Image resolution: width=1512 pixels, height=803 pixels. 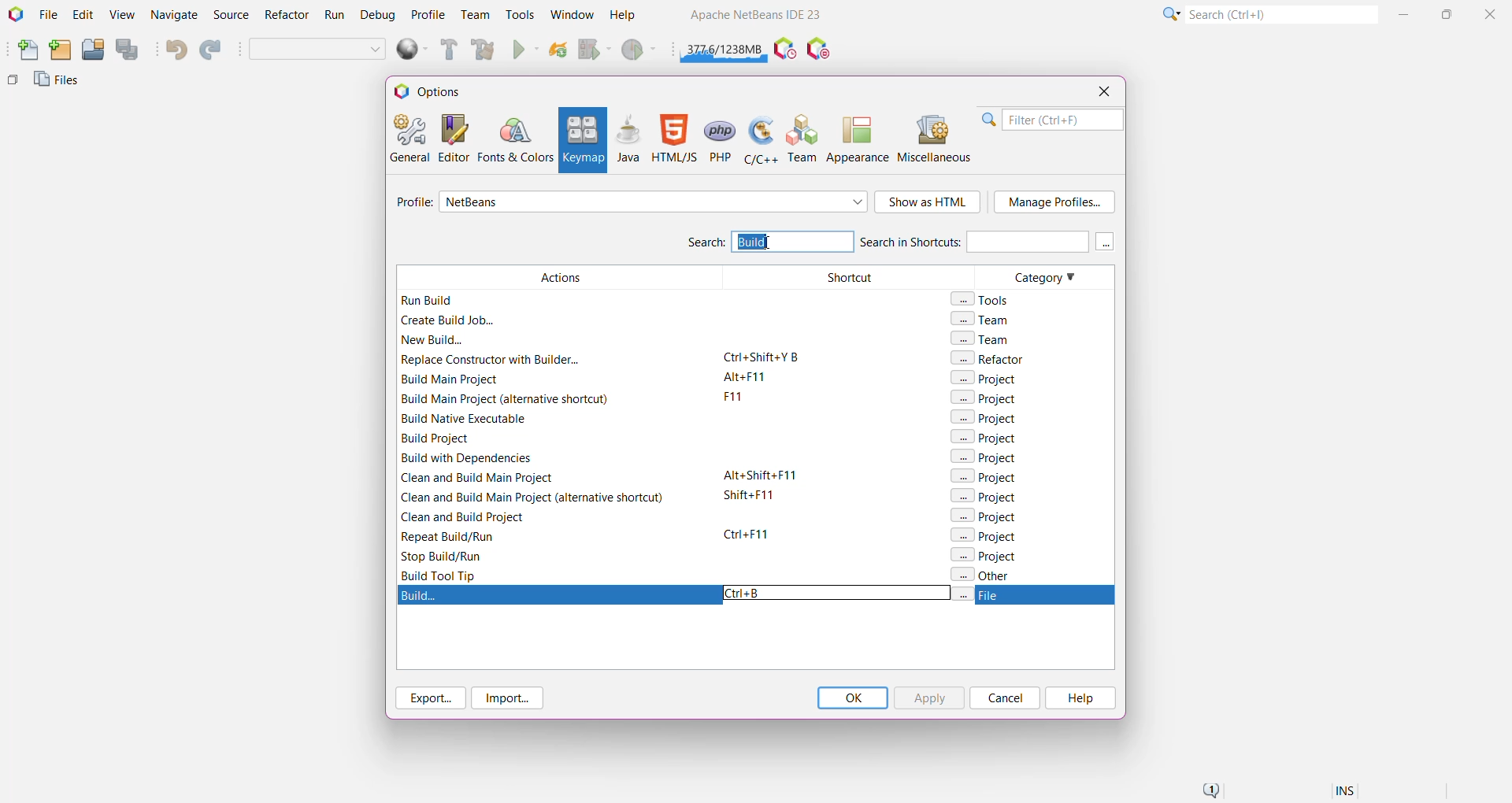 What do you see at coordinates (14, 15) in the screenshot?
I see `Application Logo` at bounding box center [14, 15].